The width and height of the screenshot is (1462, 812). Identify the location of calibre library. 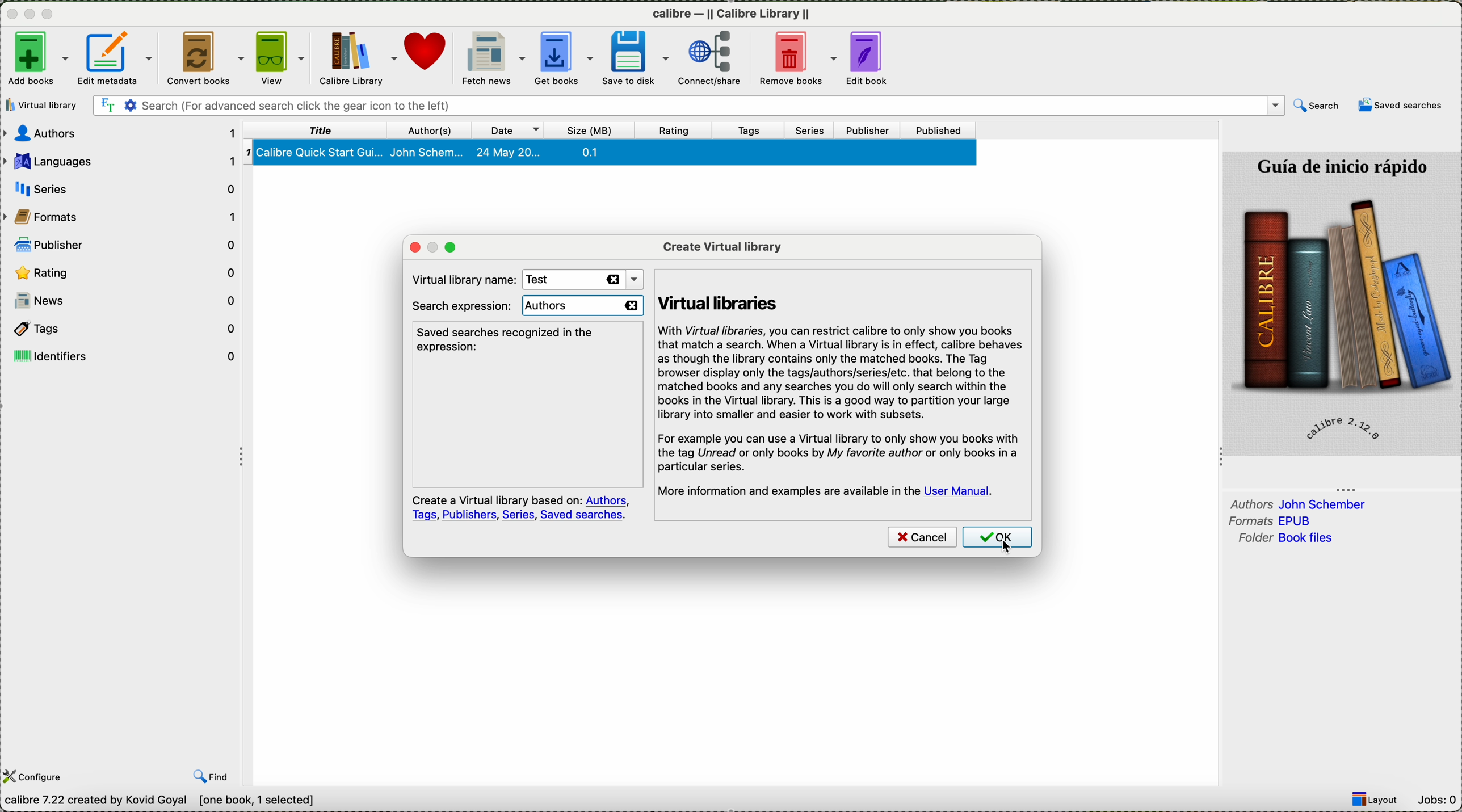
(357, 58).